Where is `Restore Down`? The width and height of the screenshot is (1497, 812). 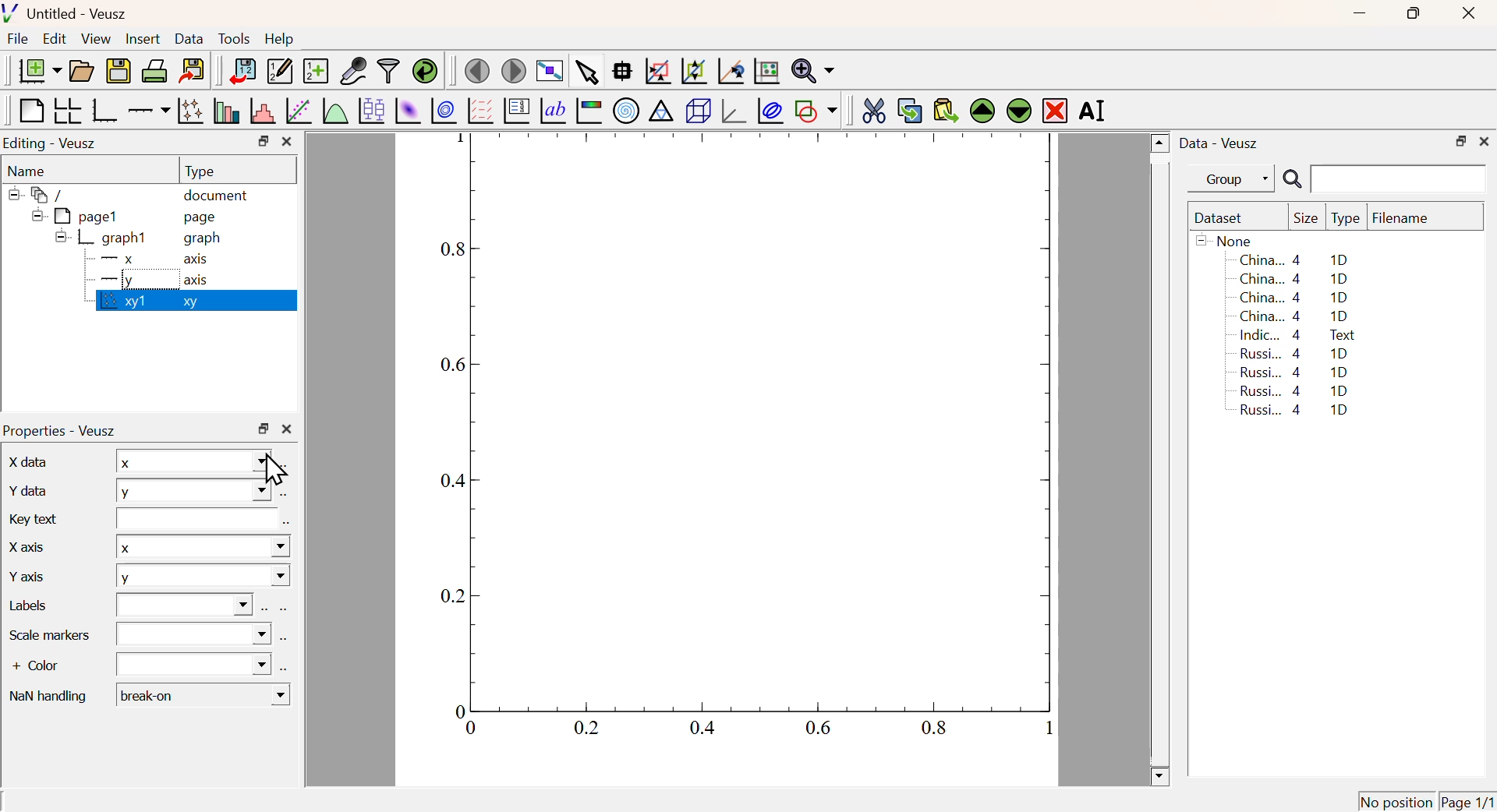
Restore Down is located at coordinates (264, 429).